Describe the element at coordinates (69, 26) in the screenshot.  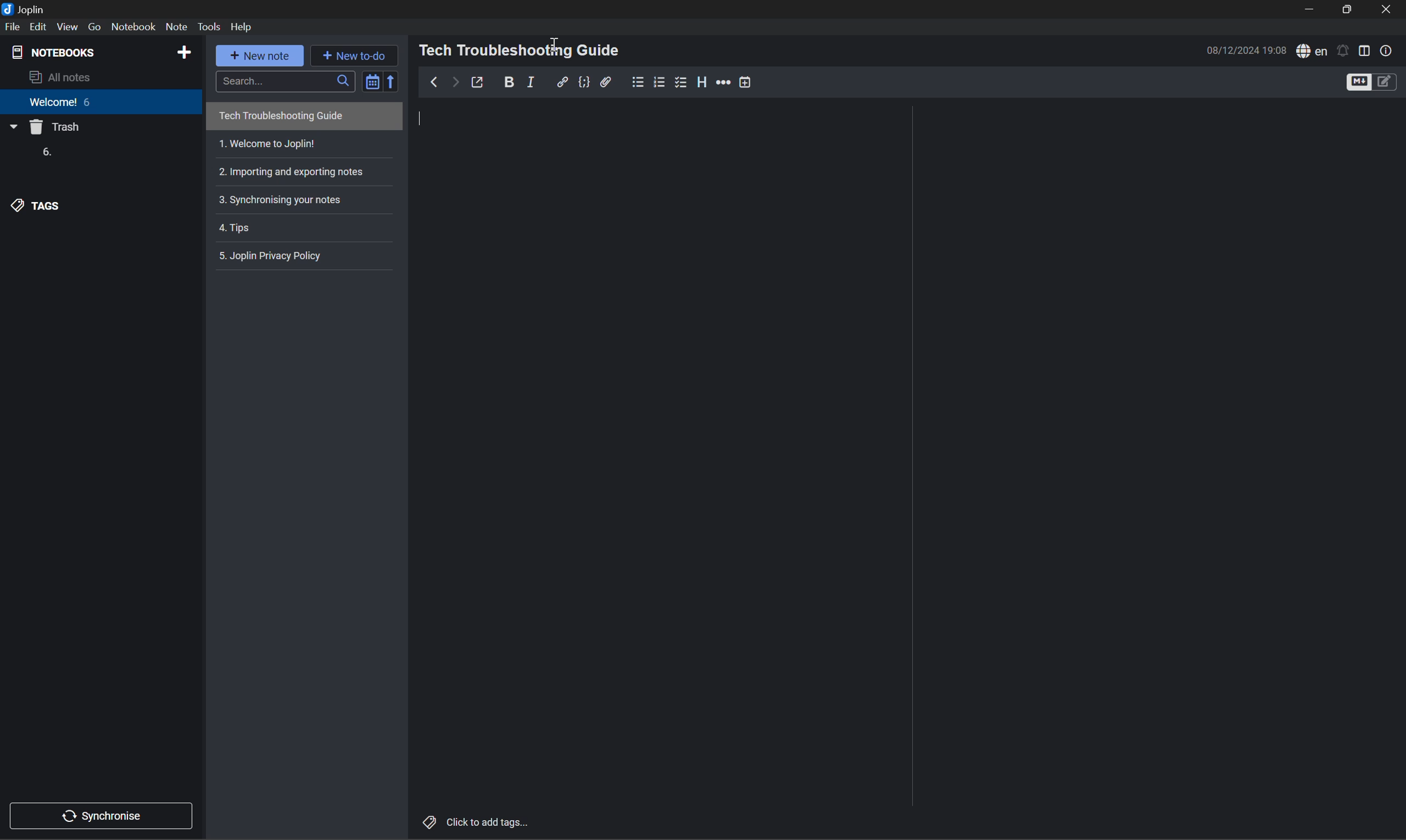
I see `View` at that location.